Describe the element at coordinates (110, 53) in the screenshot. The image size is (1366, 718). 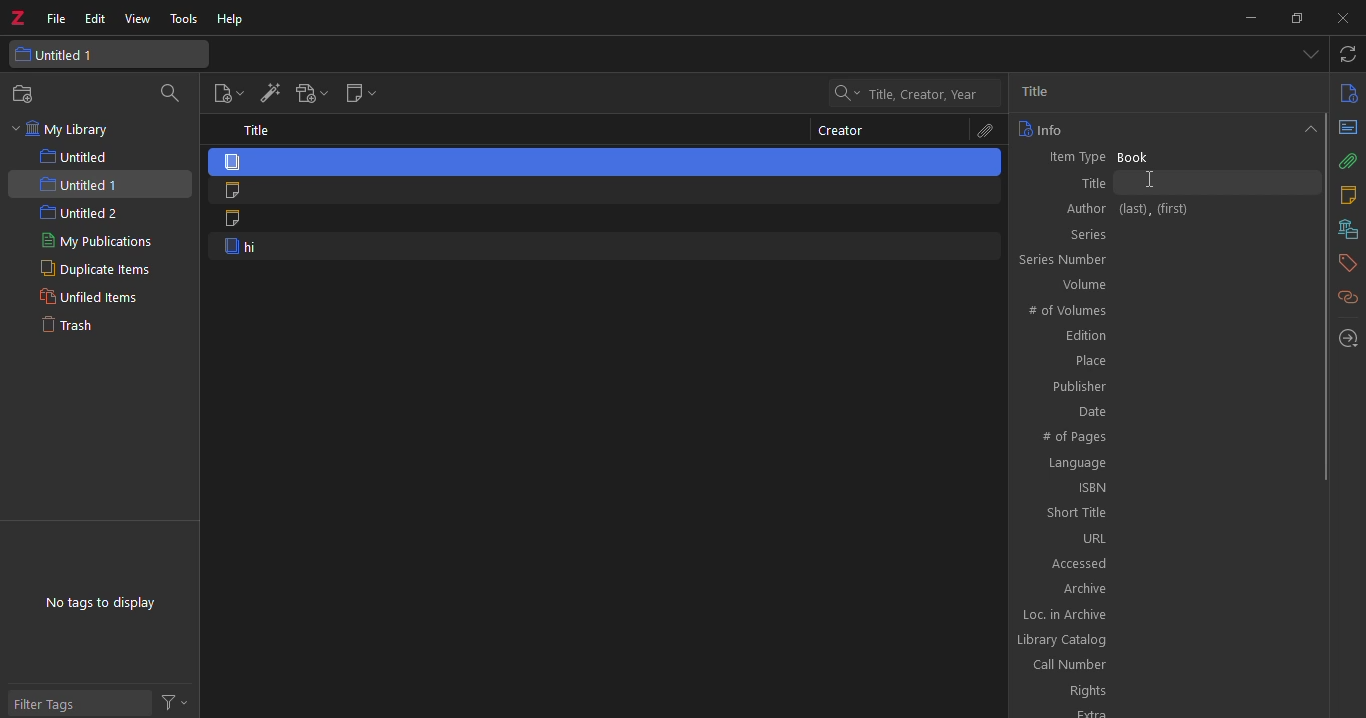
I see `untitled 1` at that location.